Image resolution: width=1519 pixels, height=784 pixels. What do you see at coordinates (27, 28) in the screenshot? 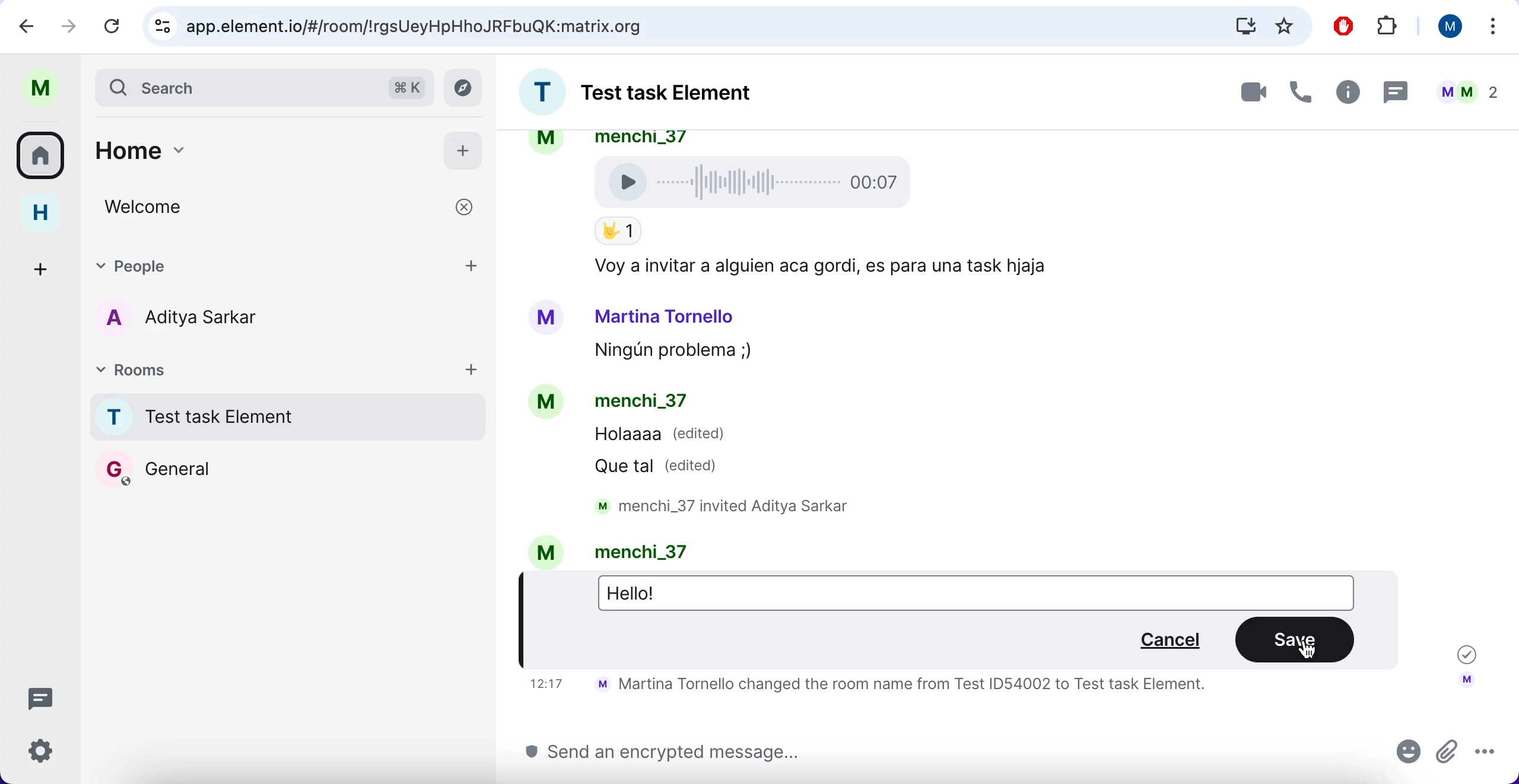
I see `backward` at bounding box center [27, 28].